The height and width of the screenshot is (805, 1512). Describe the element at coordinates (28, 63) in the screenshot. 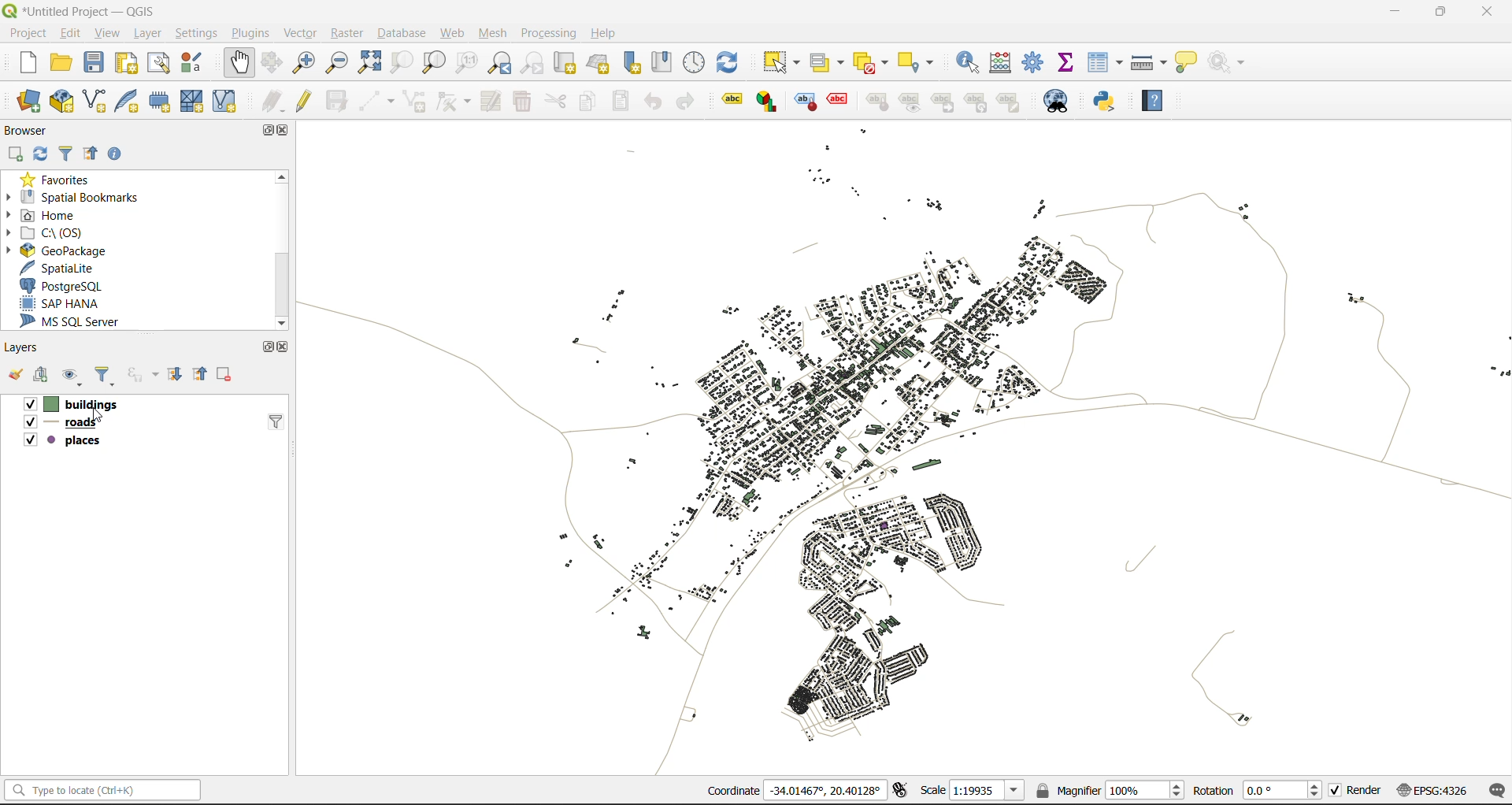

I see `new` at that location.